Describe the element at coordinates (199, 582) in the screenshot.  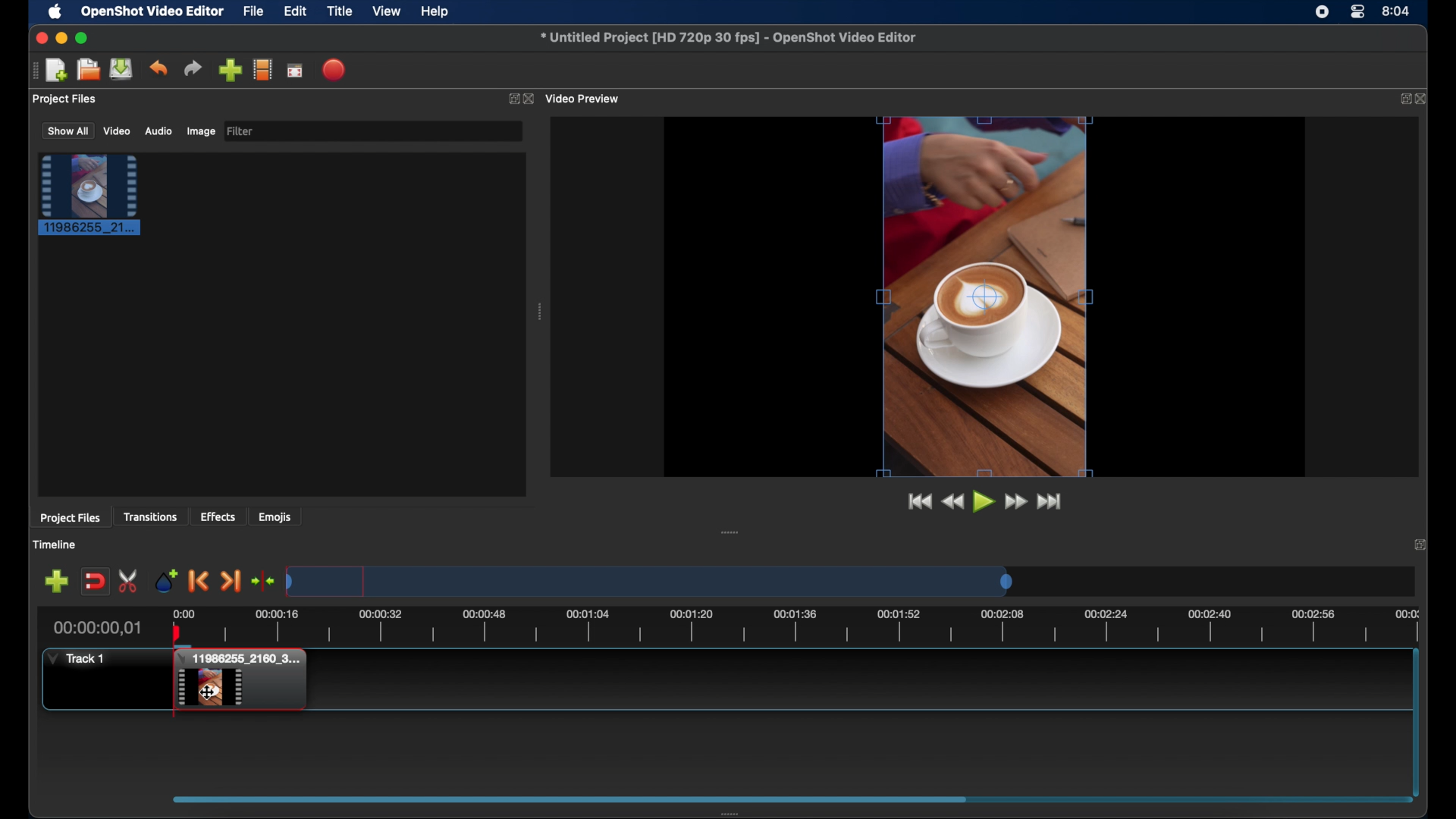
I see `previous marker` at that location.